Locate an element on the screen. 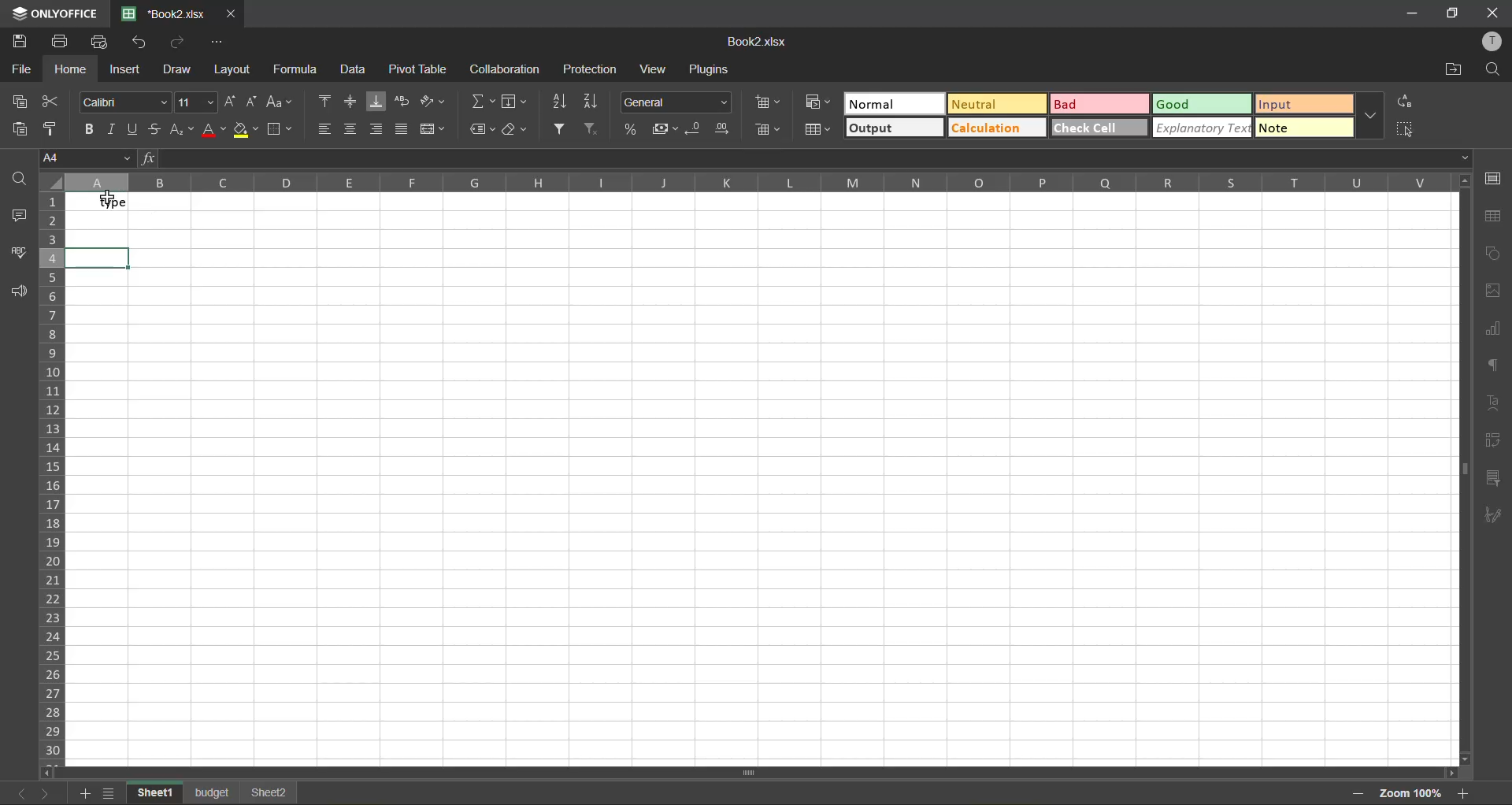 Image resolution: width=1512 pixels, height=805 pixels. paragraph is located at coordinates (1492, 368).